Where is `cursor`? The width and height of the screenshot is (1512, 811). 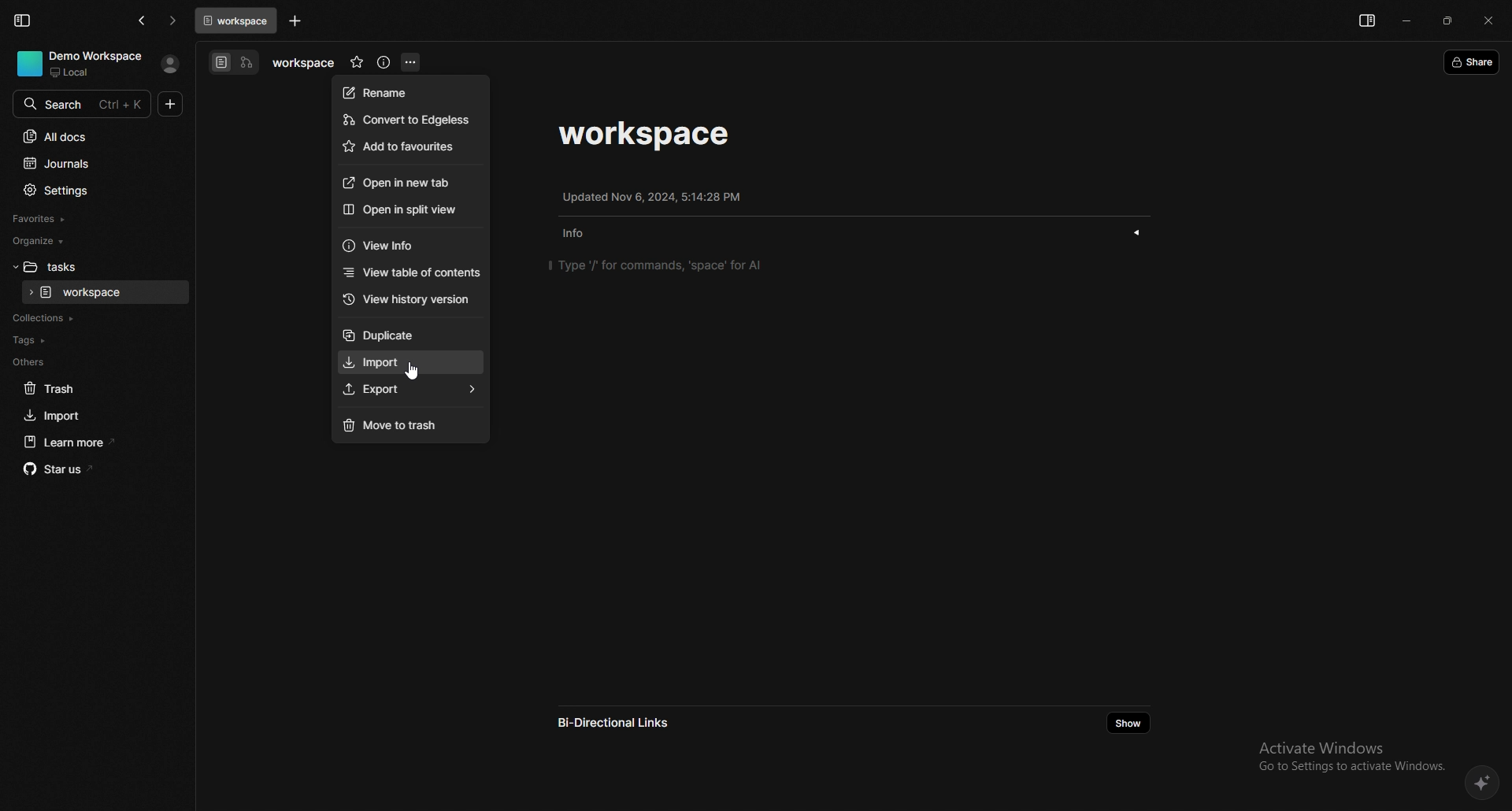
cursor is located at coordinates (412, 372).